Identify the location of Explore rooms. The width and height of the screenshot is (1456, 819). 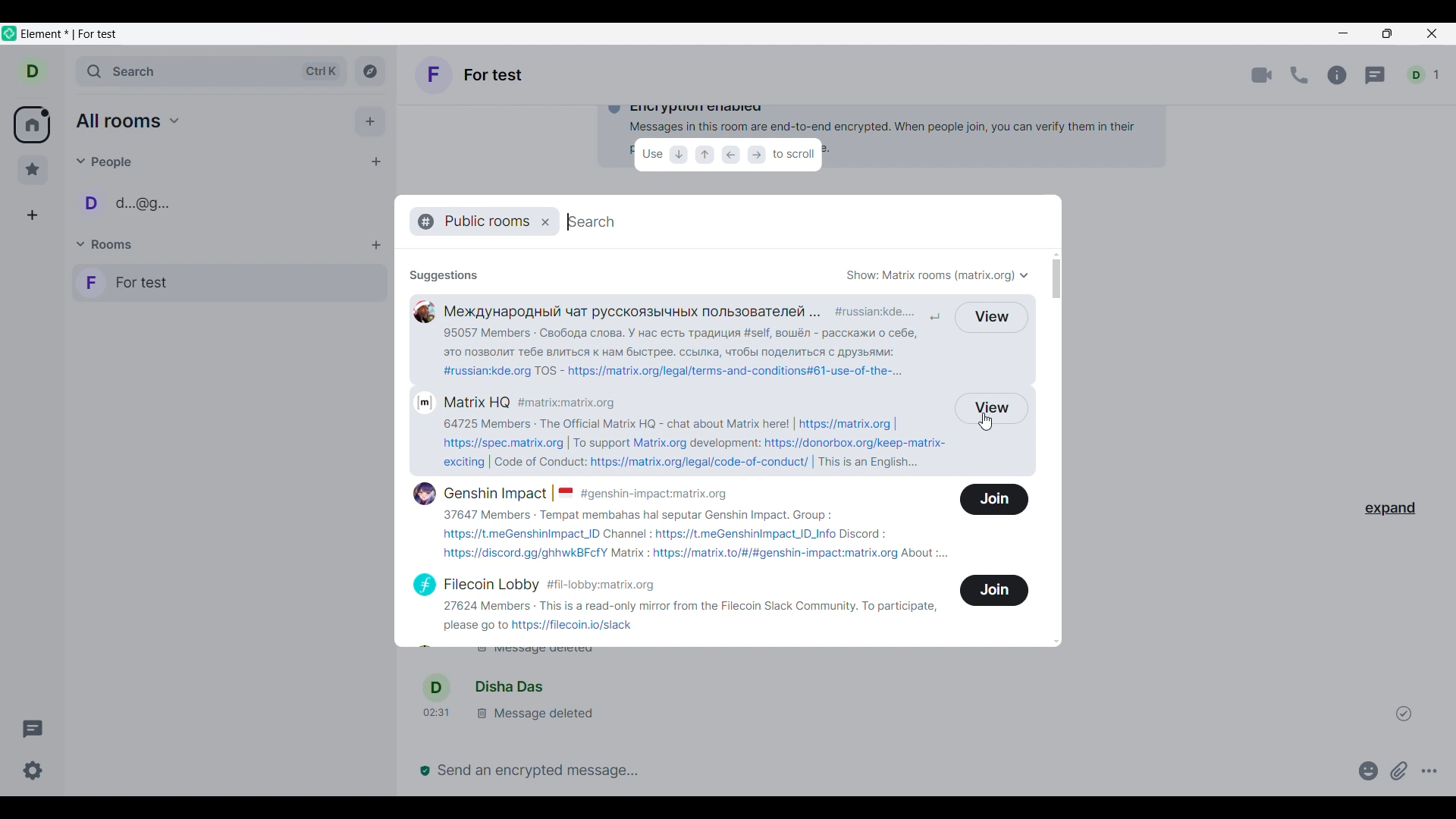
(370, 71).